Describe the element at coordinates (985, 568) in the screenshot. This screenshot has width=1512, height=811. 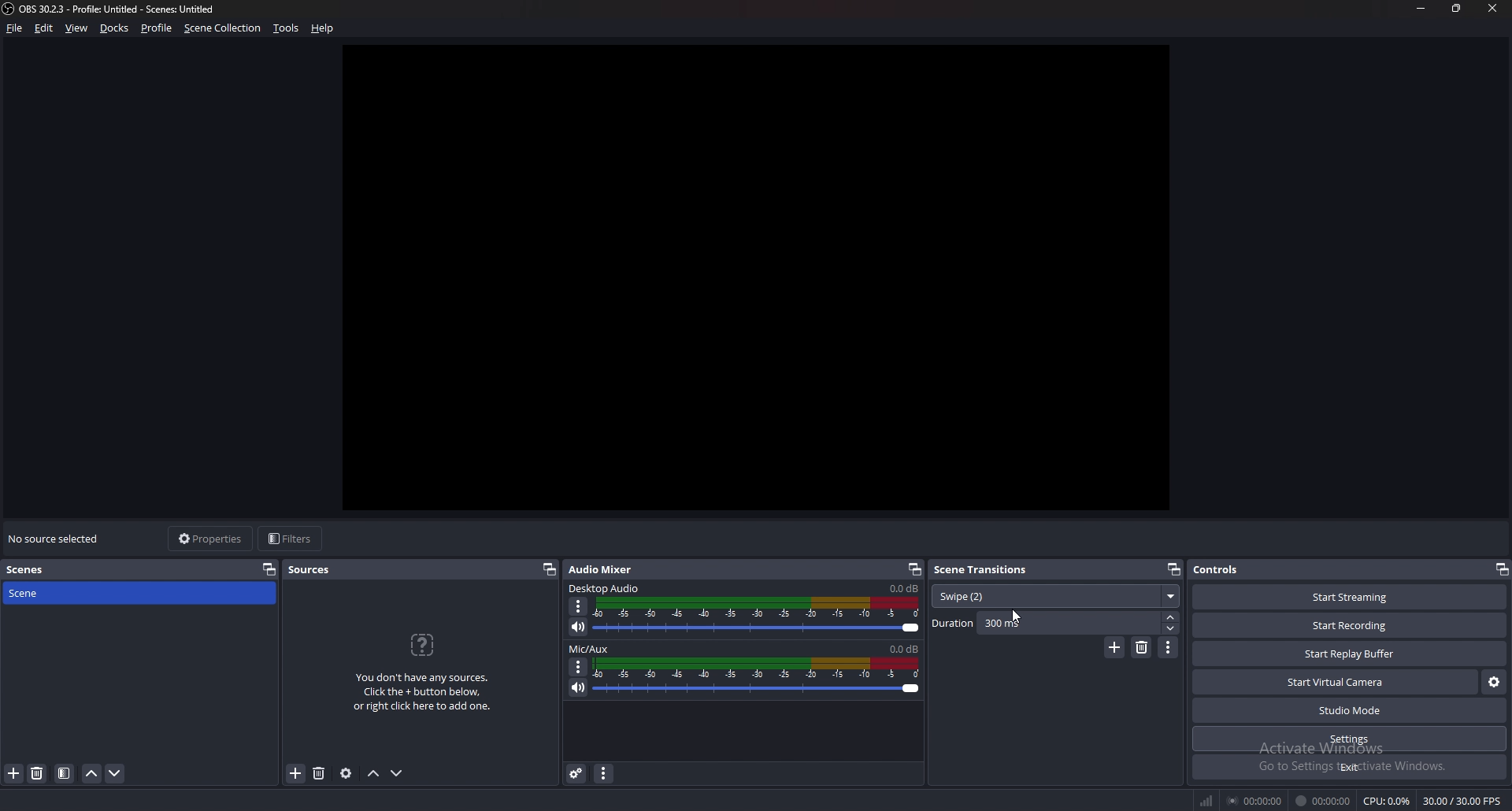
I see `scene transitions` at that location.